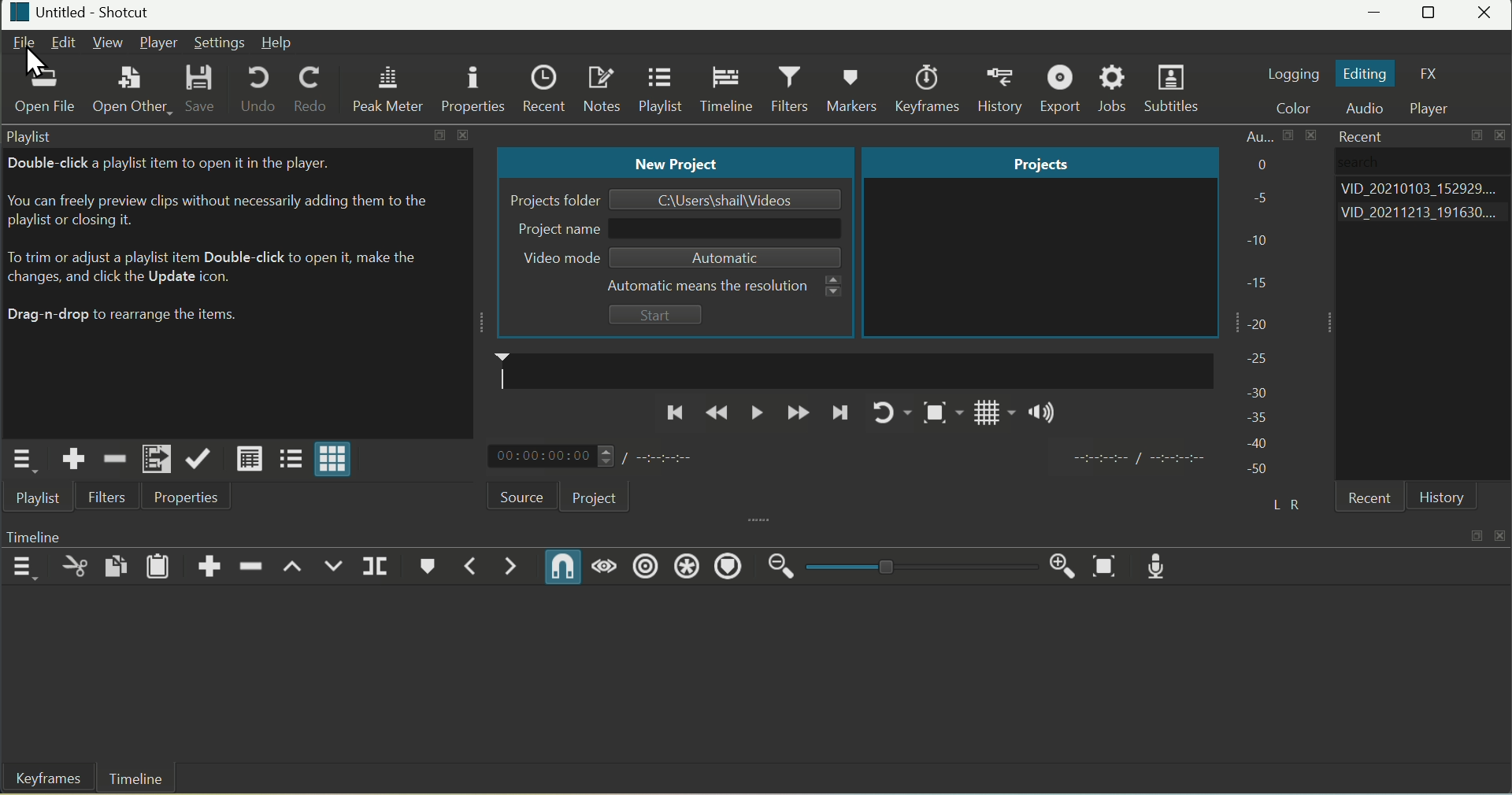 This screenshot has width=1512, height=795. What do you see at coordinates (184, 497) in the screenshot?
I see `Properties` at bounding box center [184, 497].